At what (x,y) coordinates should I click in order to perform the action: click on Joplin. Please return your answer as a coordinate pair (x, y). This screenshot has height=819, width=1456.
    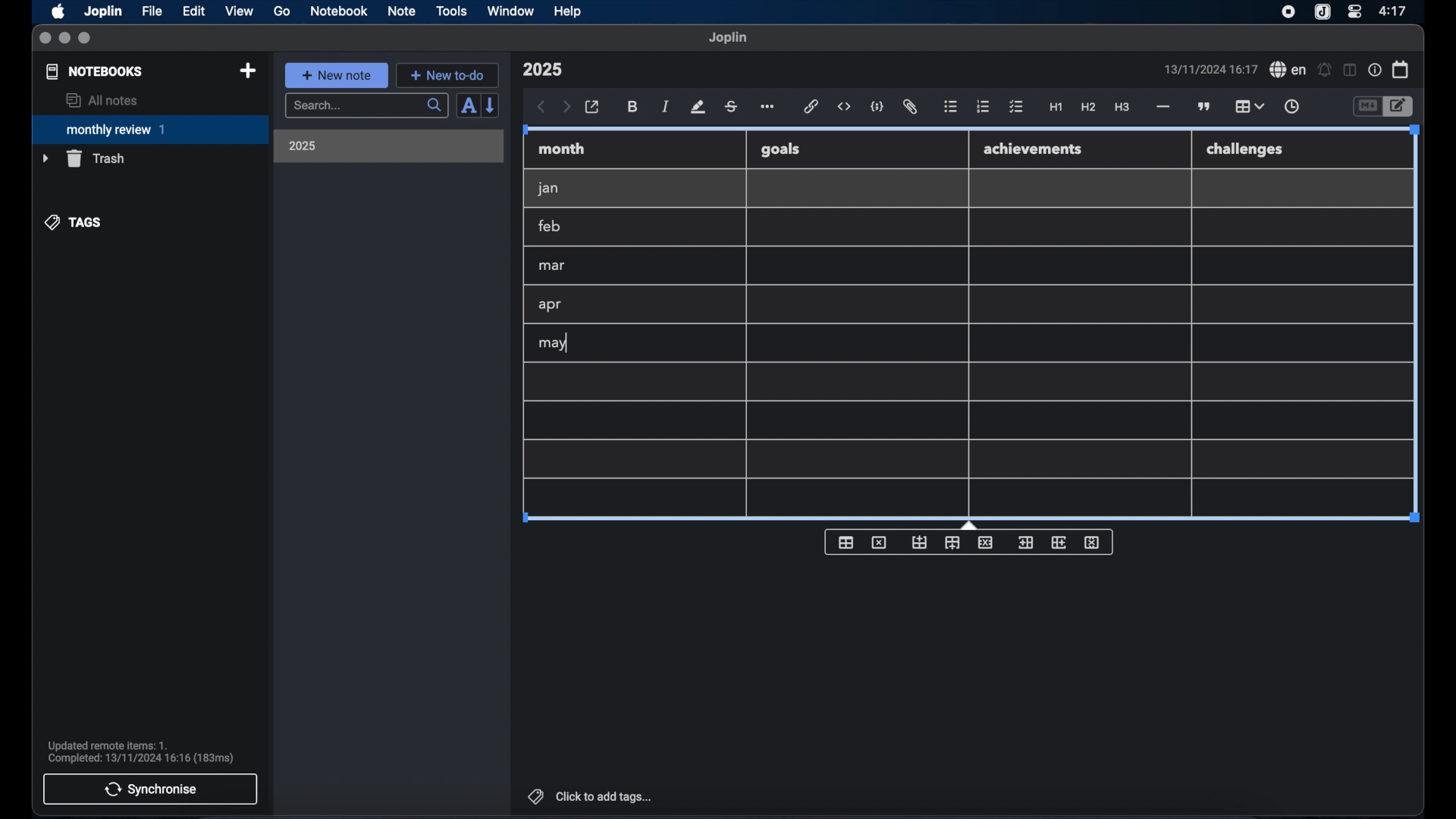
    Looking at the image, I should click on (105, 12).